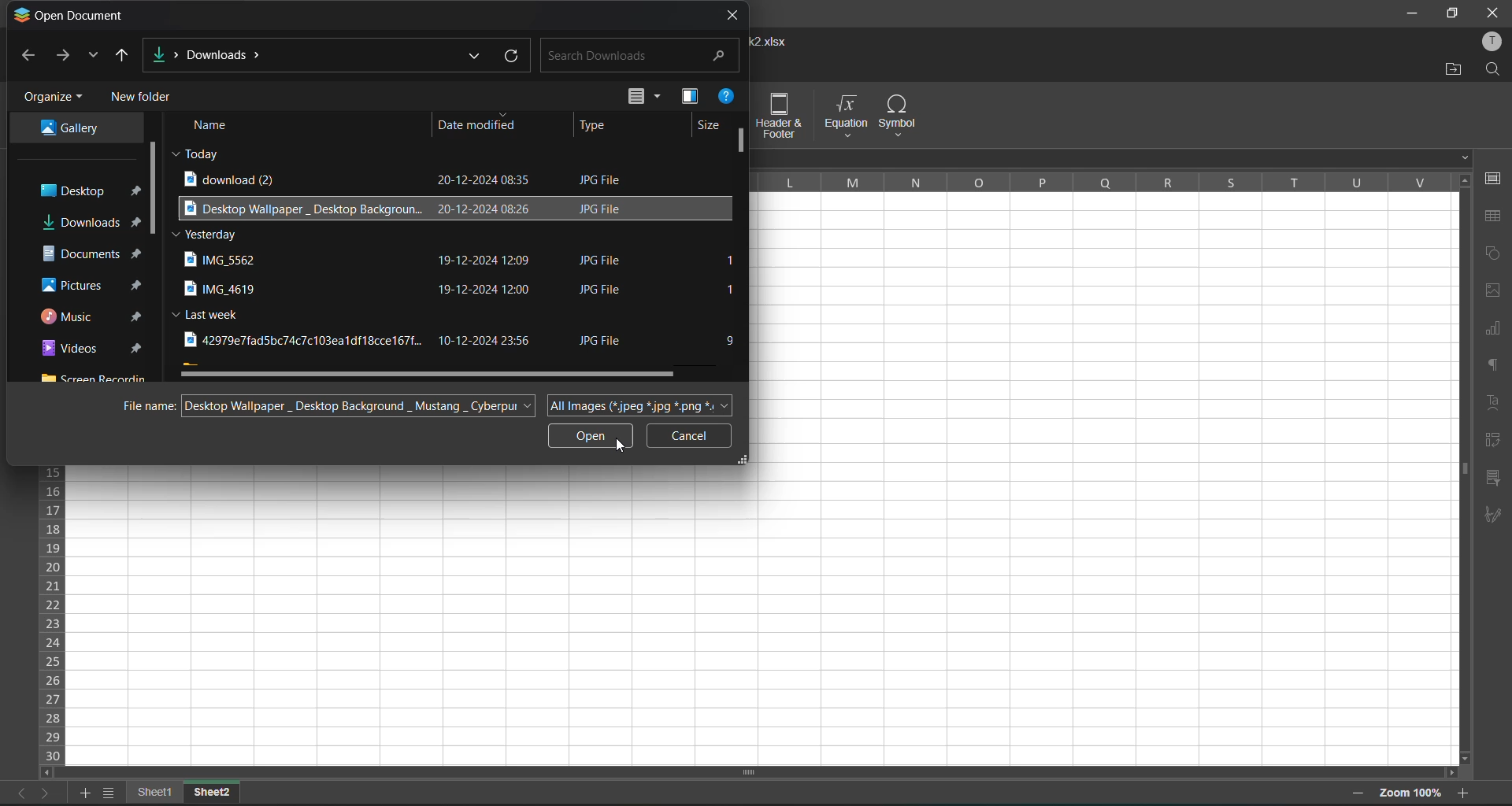 This screenshot has height=806, width=1512. What do you see at coordinates (113, 793) in the screenshot?
I see `sheet list` at bounding box center [113, 793].